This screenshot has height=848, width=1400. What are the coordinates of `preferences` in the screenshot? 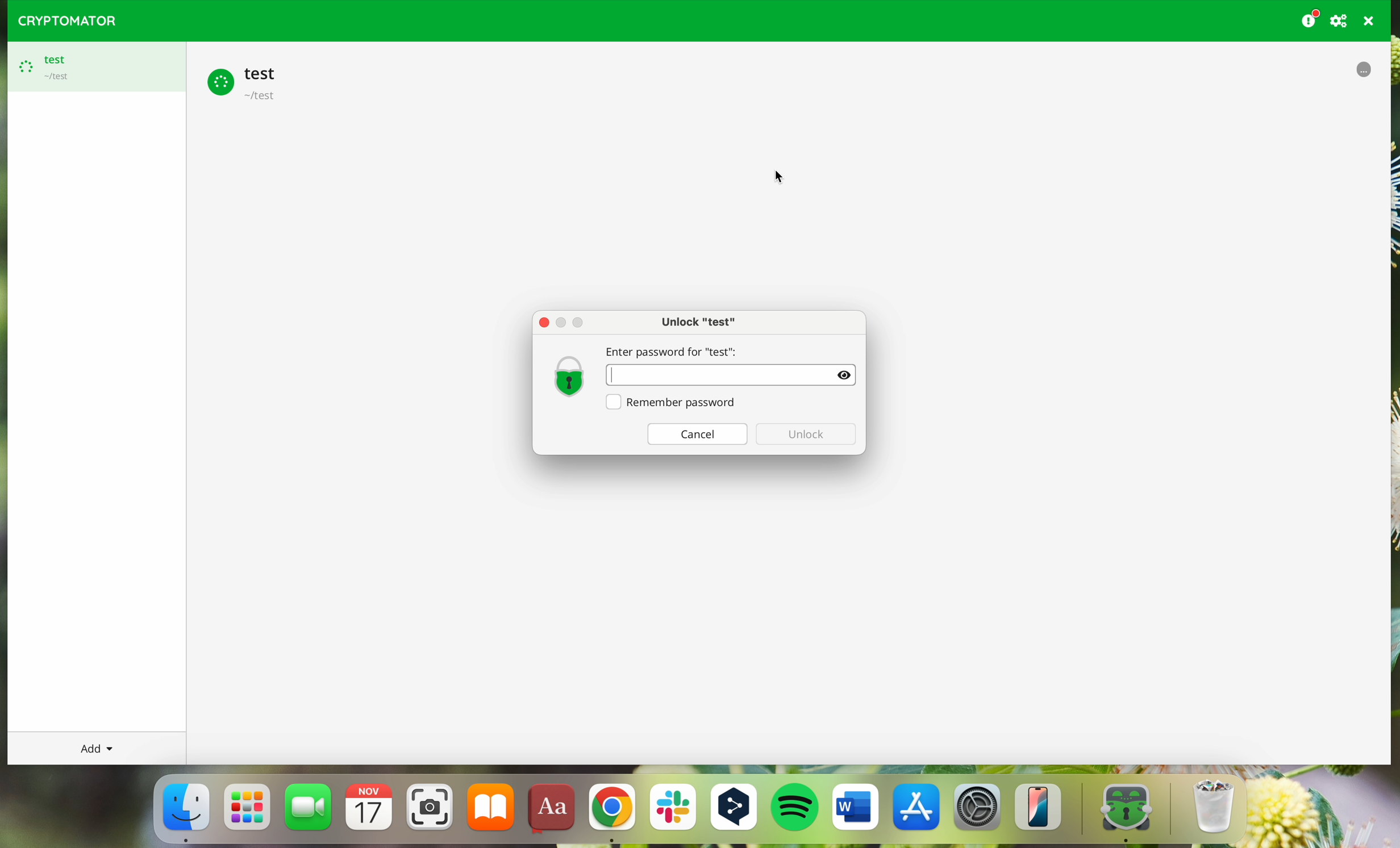 It's located at (1340, 20).